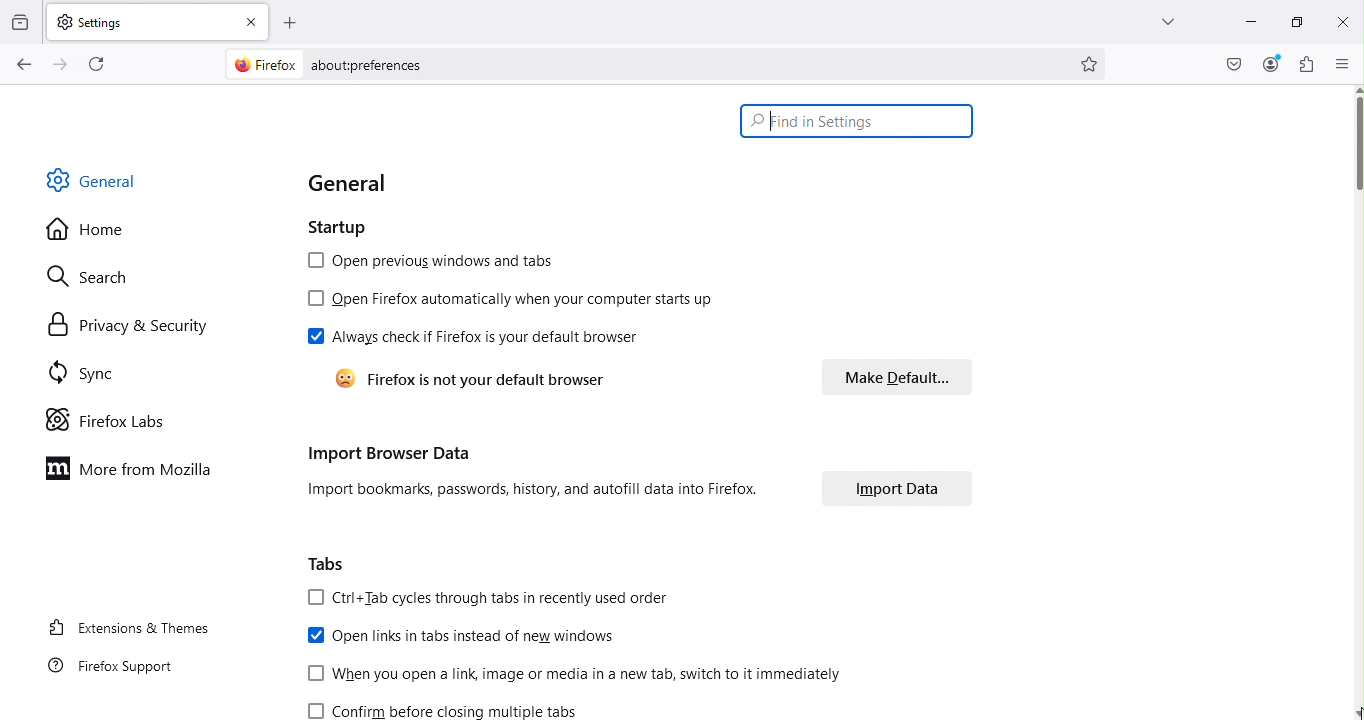 This screenshot has height=720, width=1364. I want to click on Go forward one page, so click(58, 63).